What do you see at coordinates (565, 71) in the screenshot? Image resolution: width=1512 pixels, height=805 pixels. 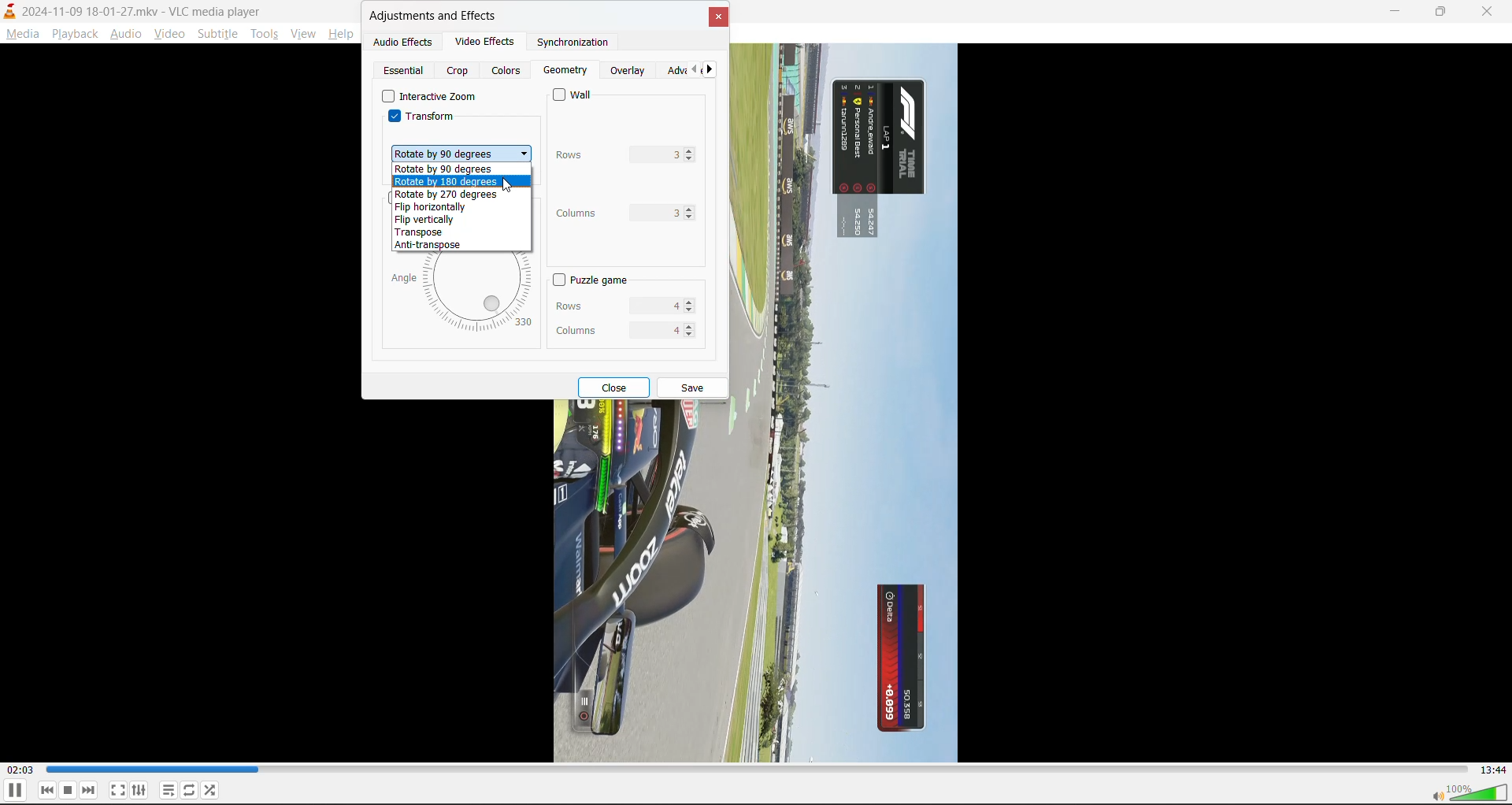 I see `Geometry` at bounding box center [565, 71].